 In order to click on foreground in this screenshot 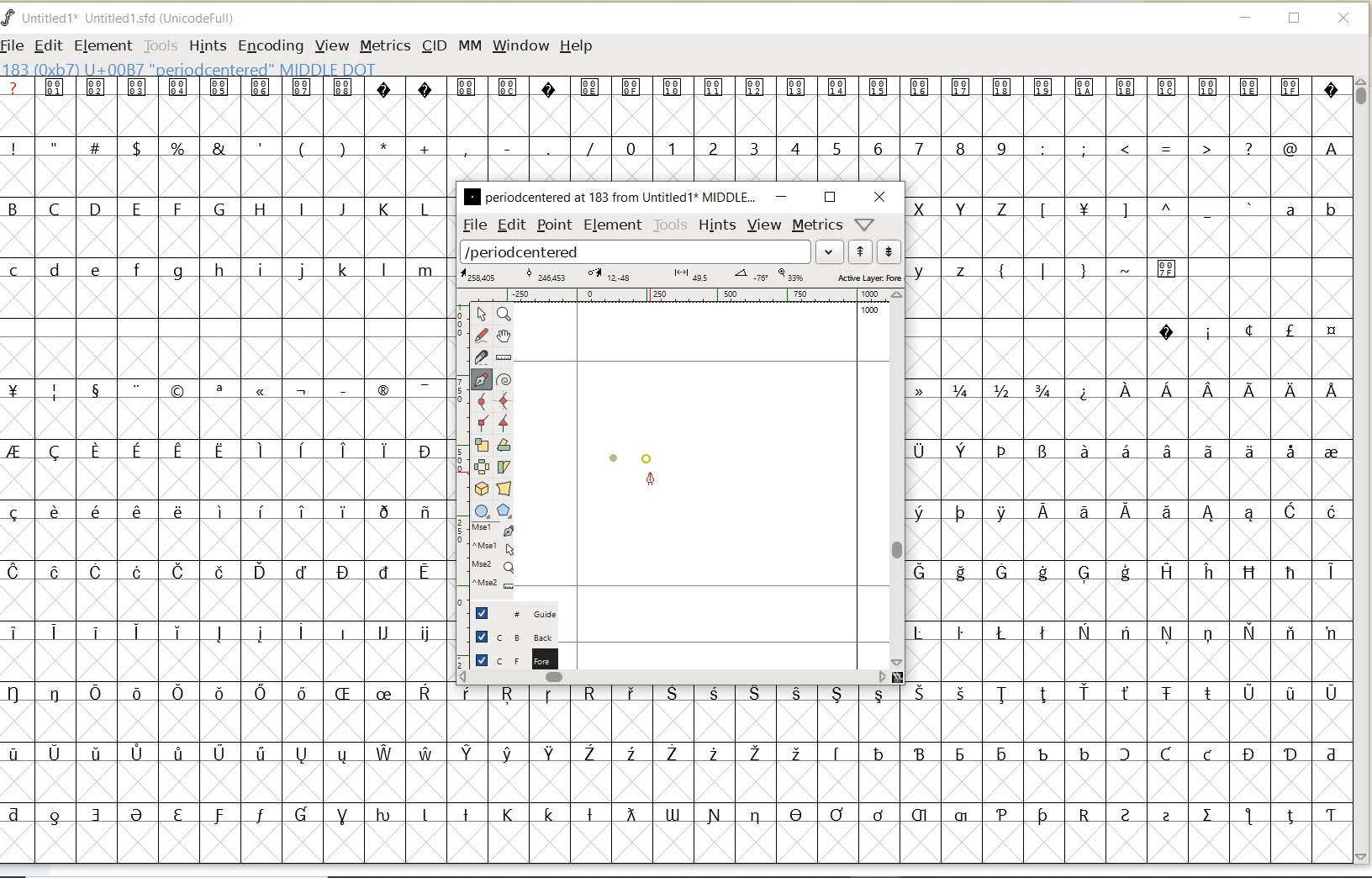, I will do `click(510, 658)`.